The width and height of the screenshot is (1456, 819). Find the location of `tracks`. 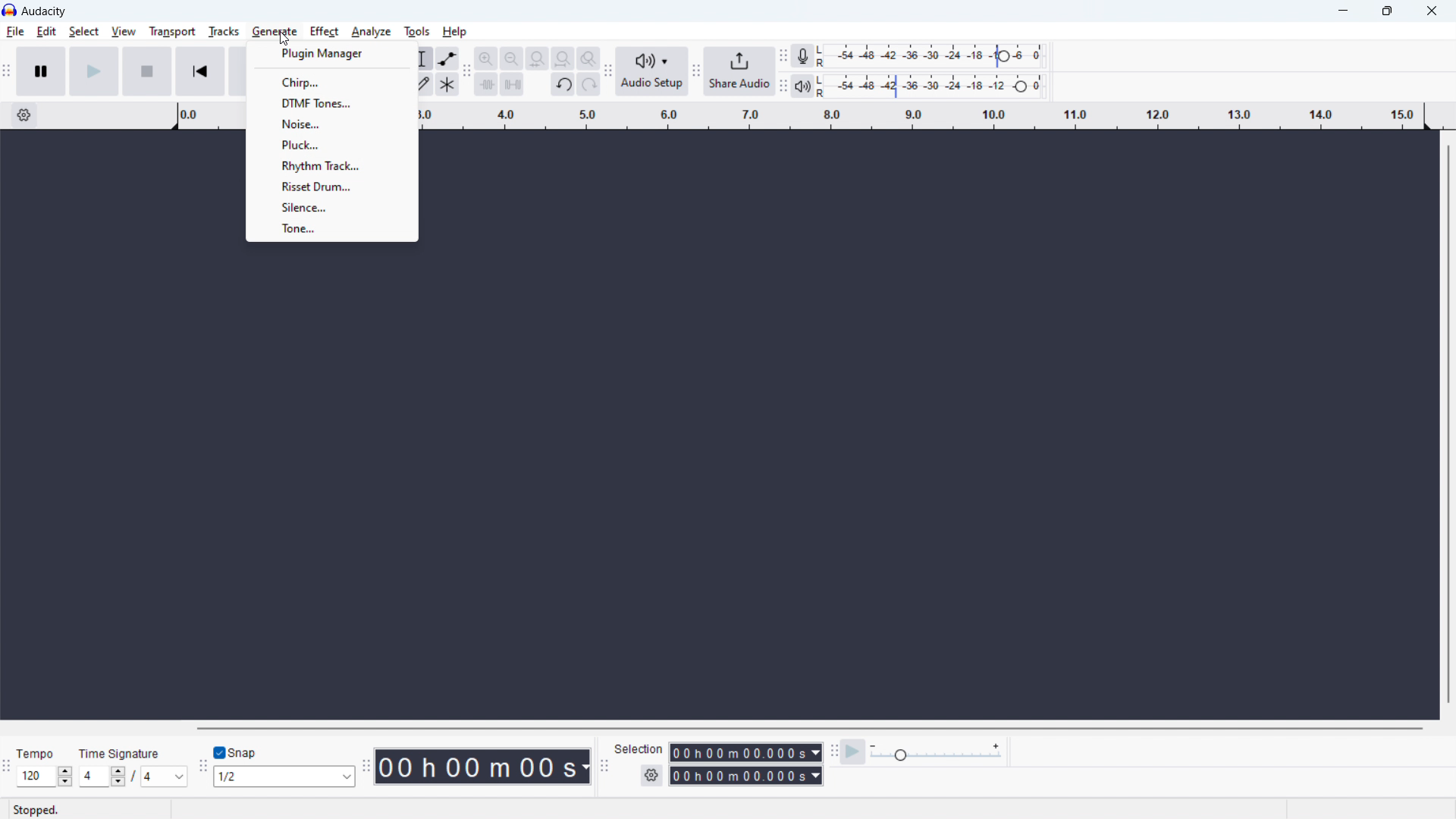

tracks is located at coordinates (224, 31).